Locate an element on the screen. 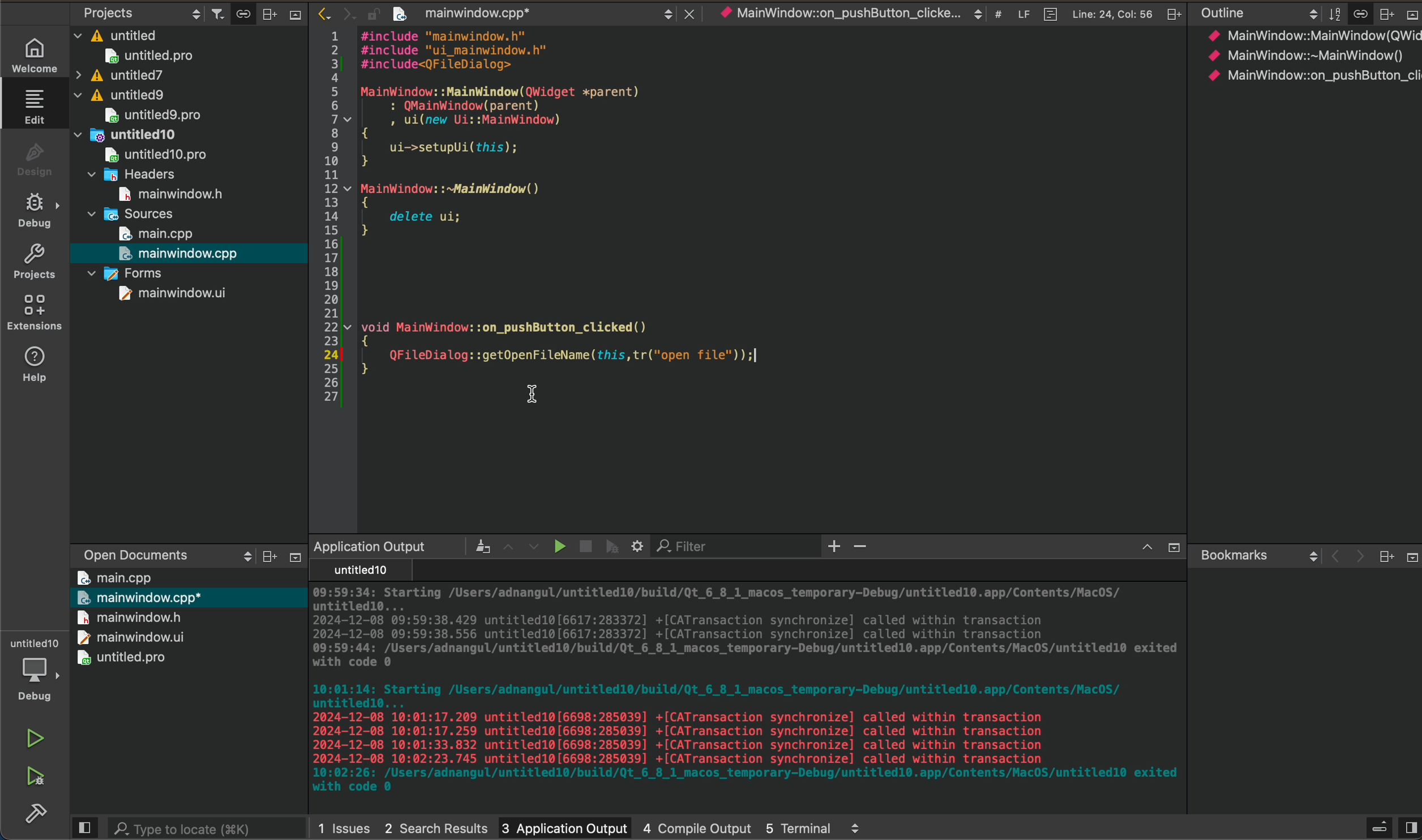 The image size is (1422, 840). up is located at coordinates (505, 545).